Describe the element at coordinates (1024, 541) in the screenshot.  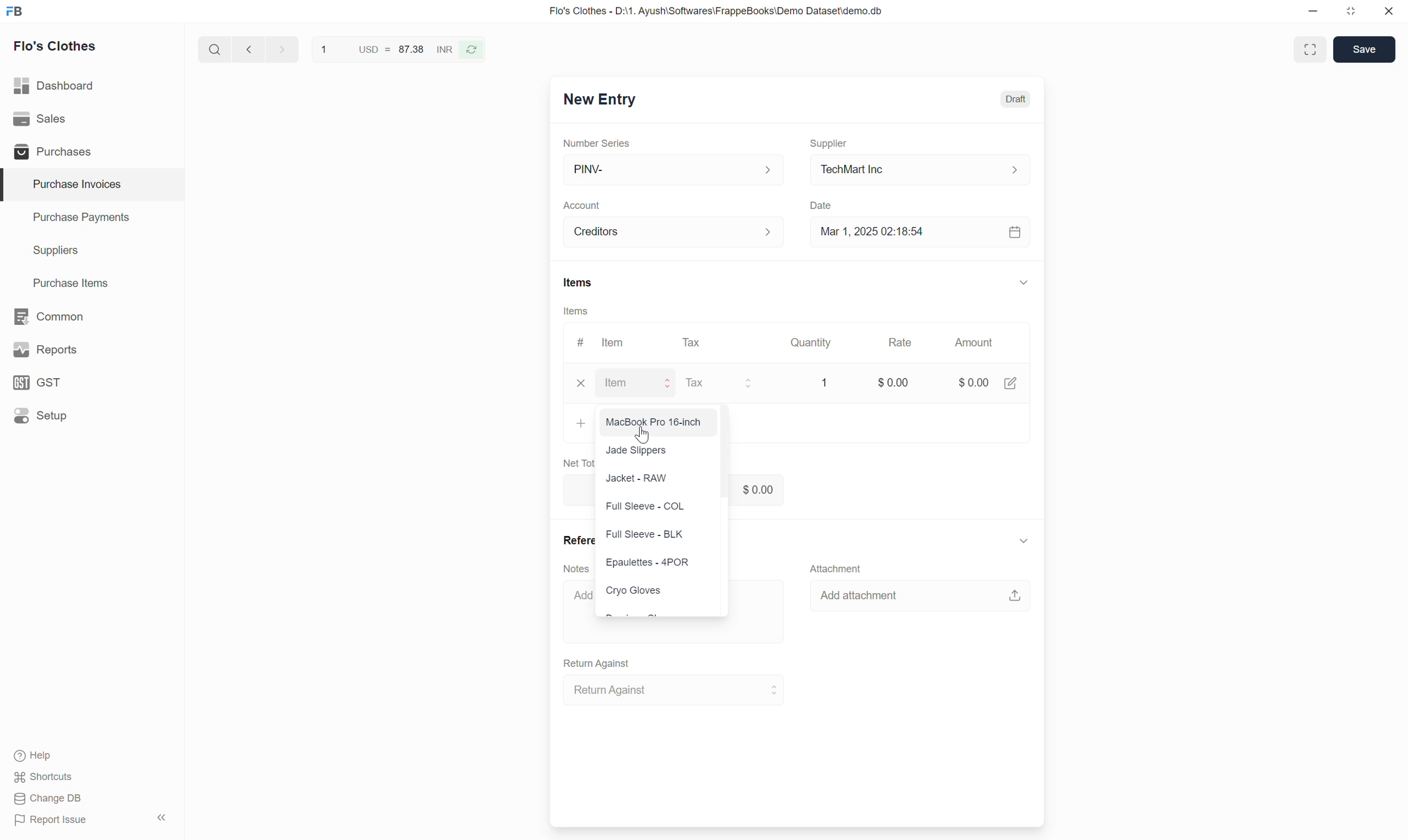
I see `Collapse` at that location.